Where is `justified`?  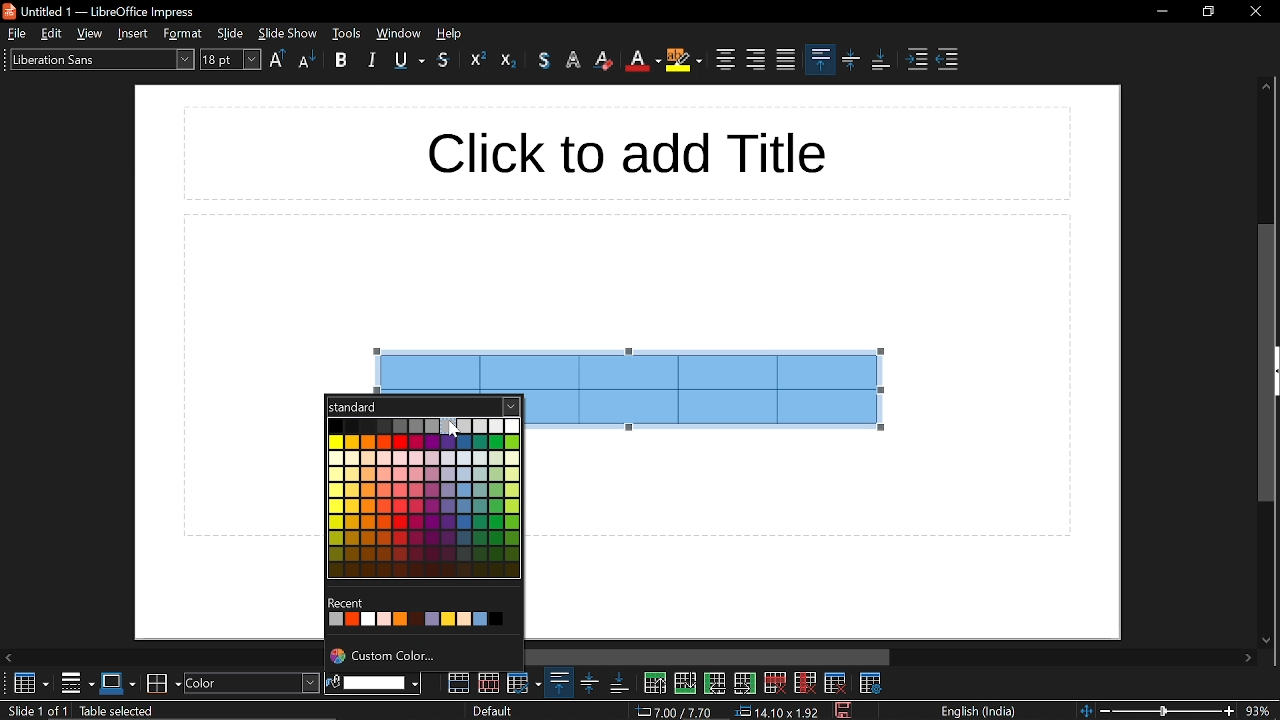 justified is located at coordinates (786, 61).